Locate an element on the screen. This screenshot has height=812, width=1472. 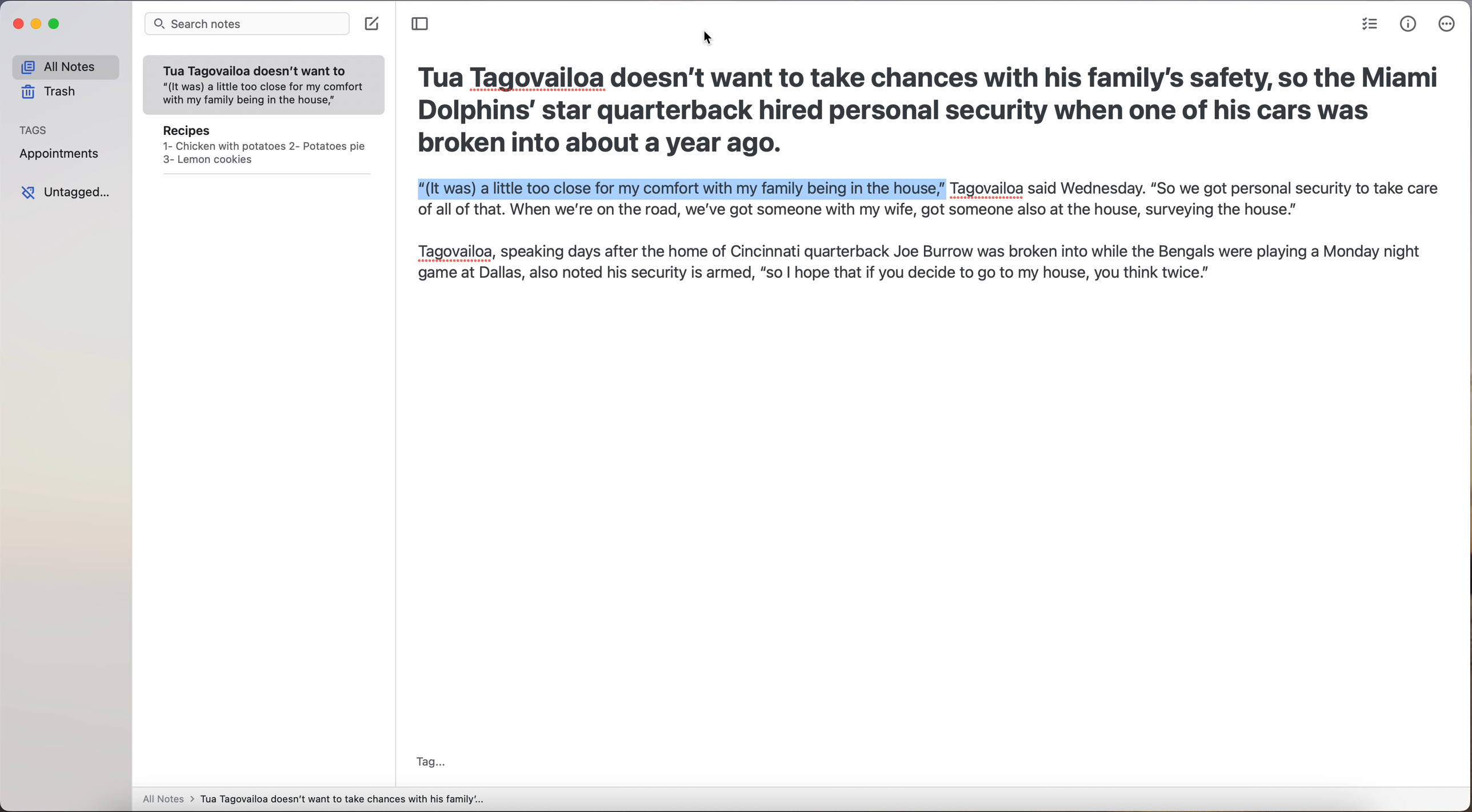
toggle sidebar is located at coordinates (421, 23).